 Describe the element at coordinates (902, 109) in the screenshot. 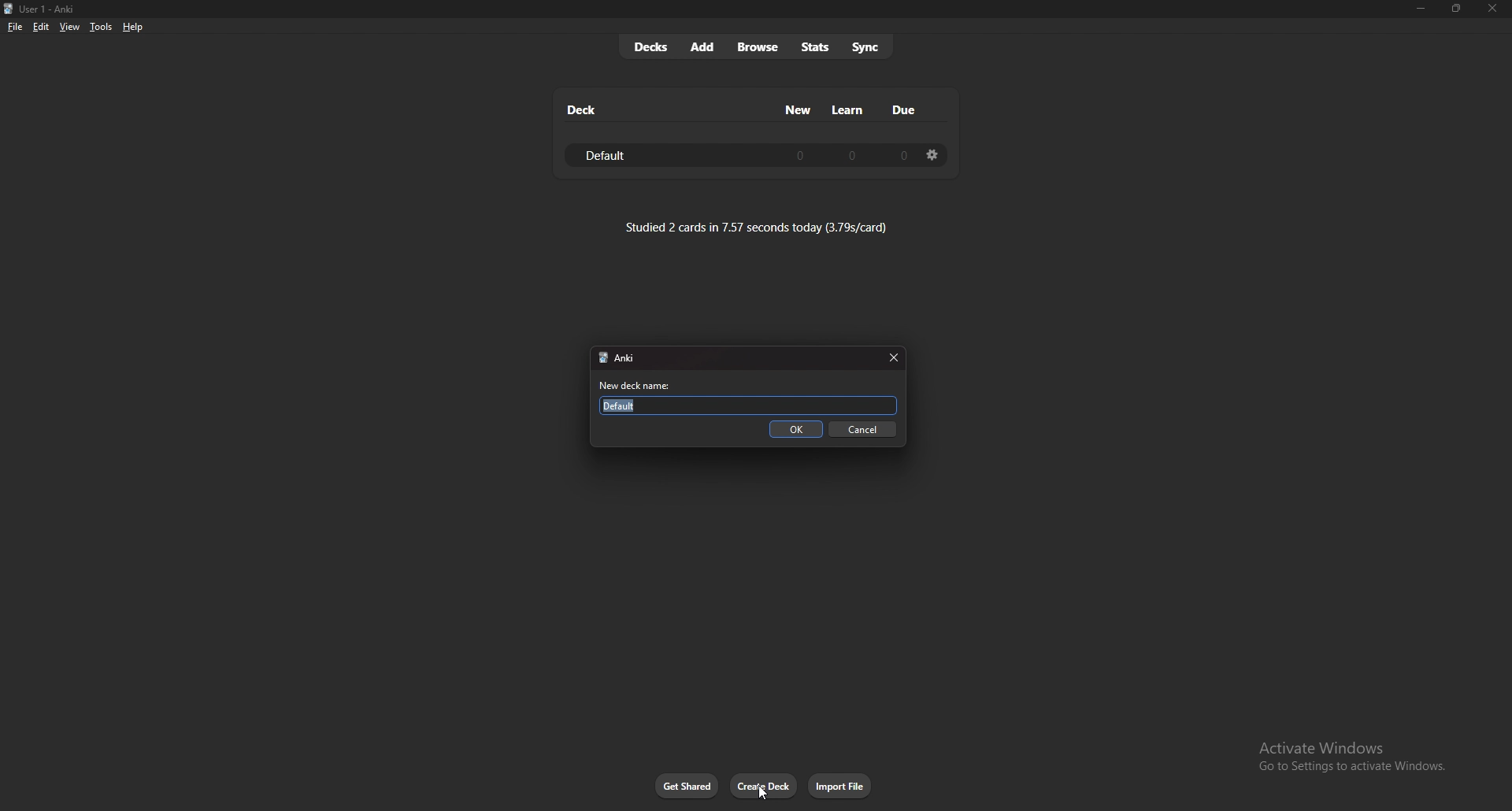

I see `due` at that location.